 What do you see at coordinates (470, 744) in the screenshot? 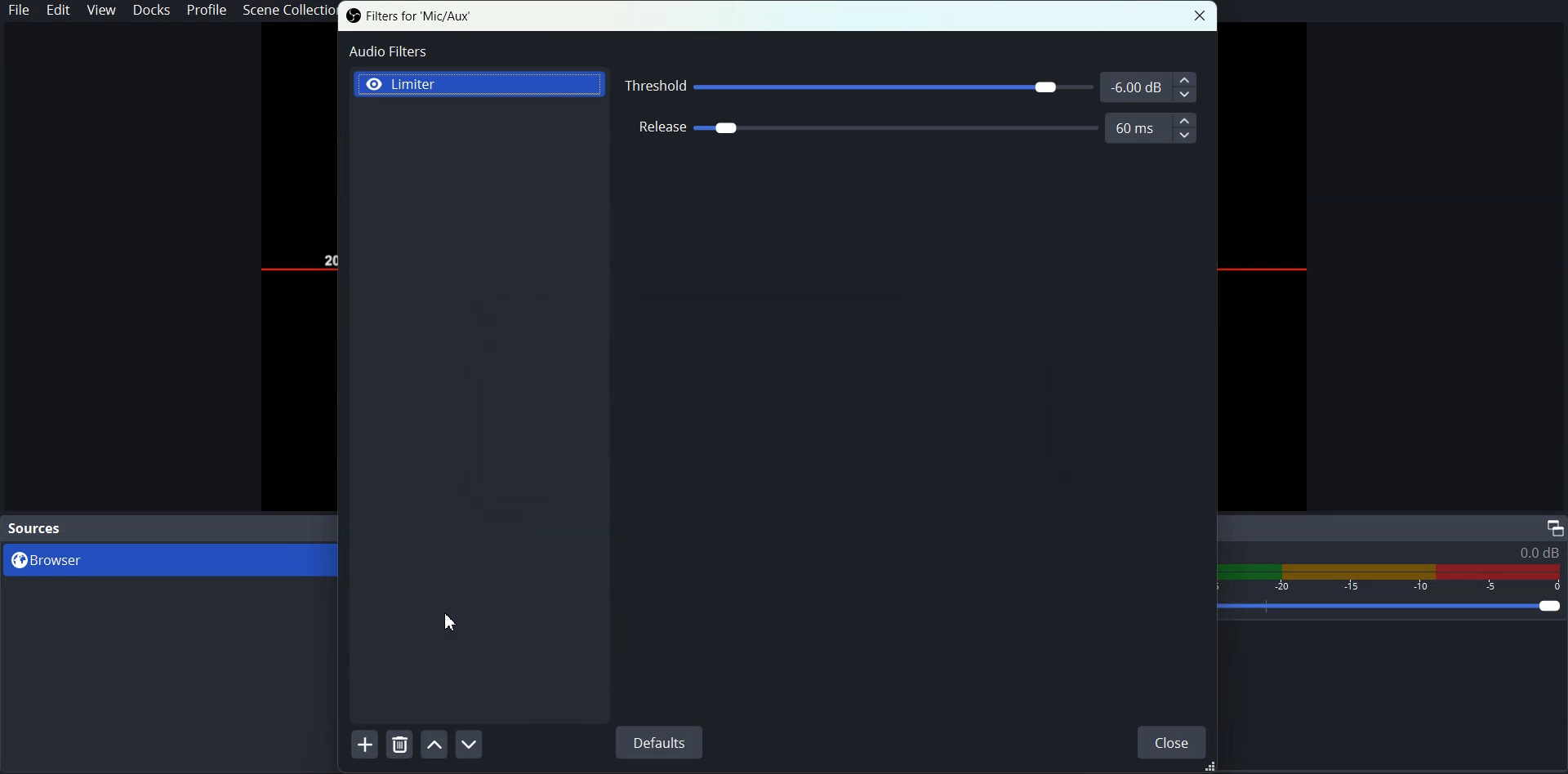
I see `Move Filter Down` at bounding box center [470, 744].